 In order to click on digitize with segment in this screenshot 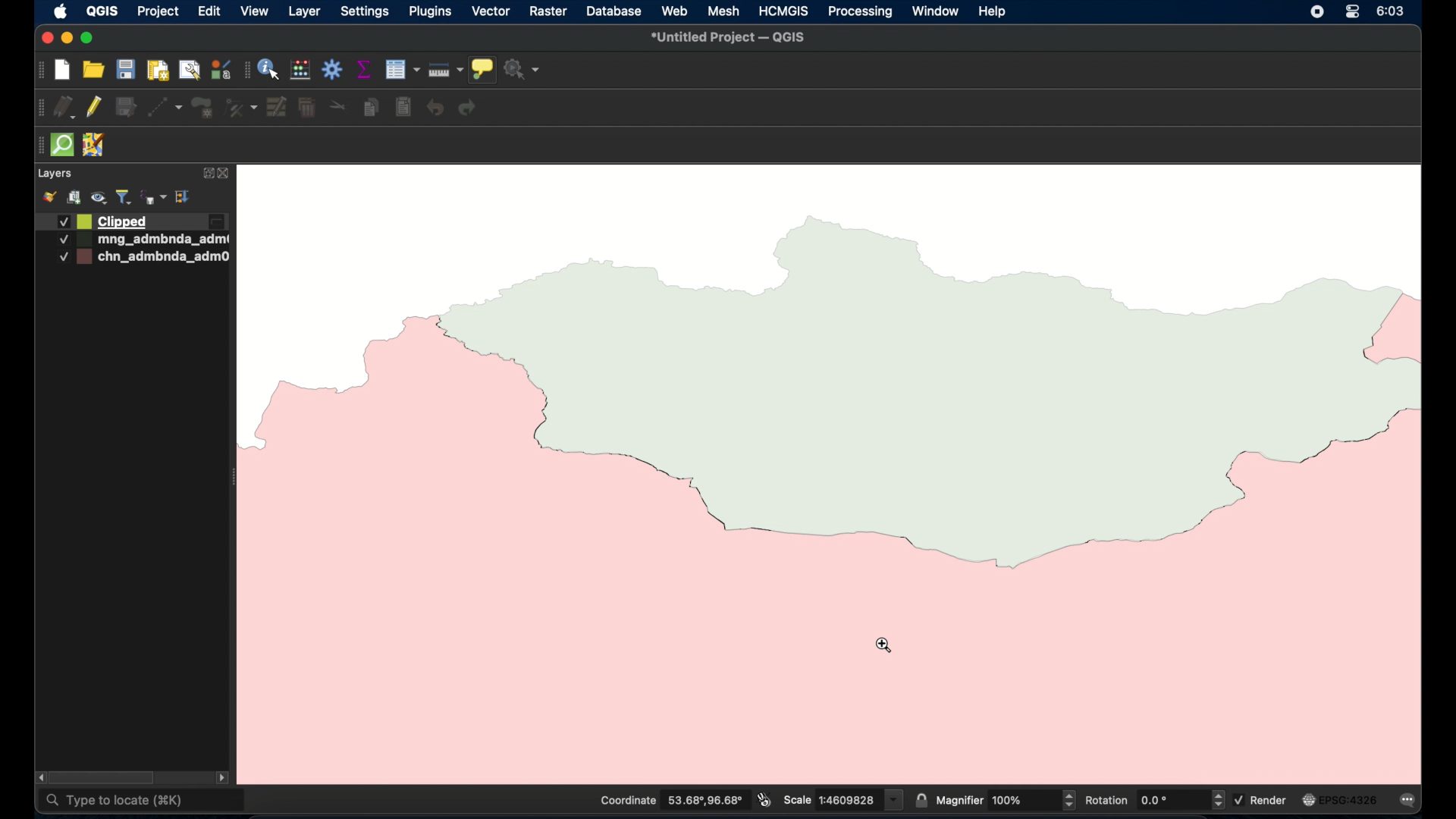, I will do `click(165, 108)`.